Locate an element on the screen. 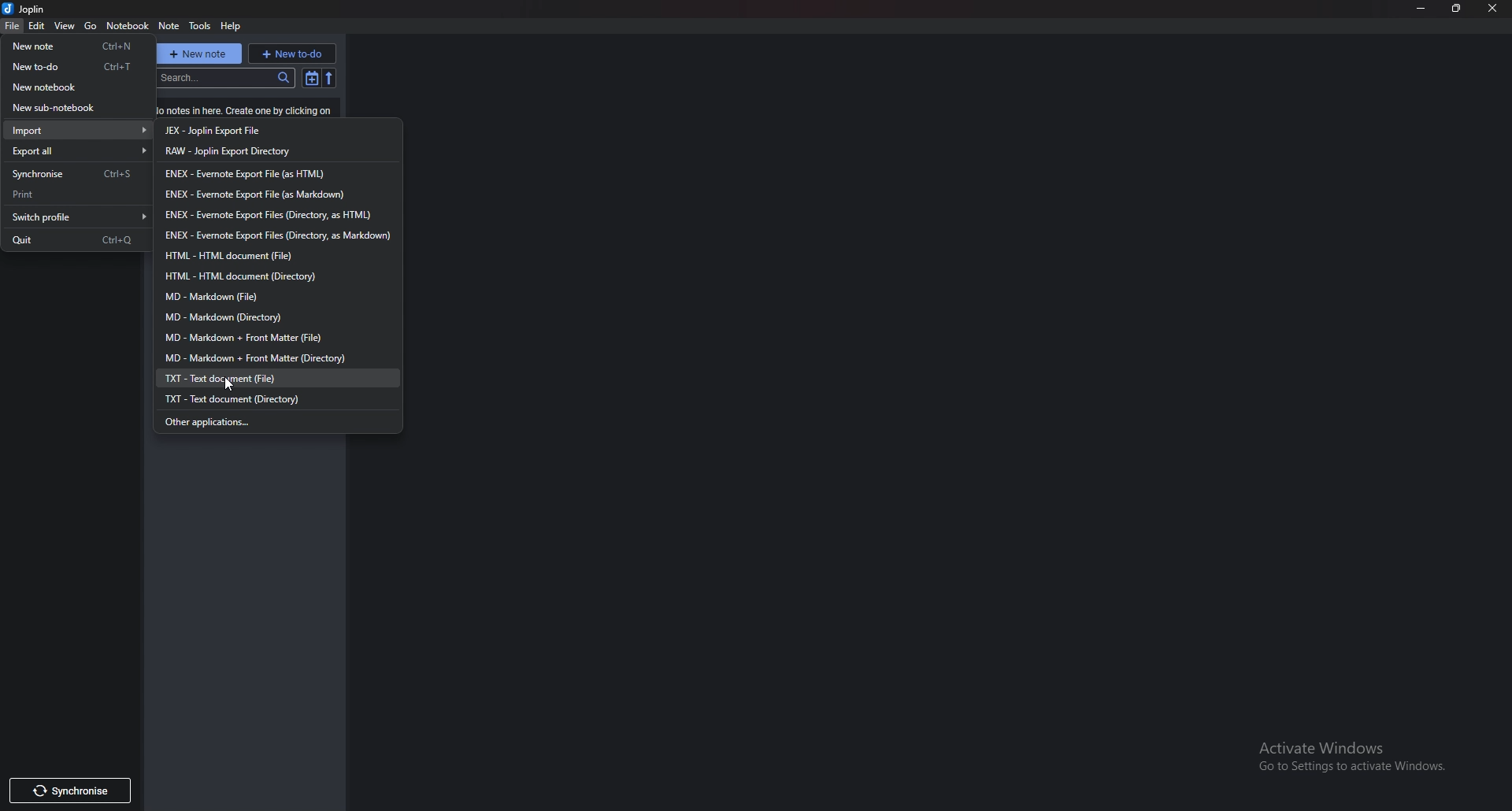 This screenshot has height=811, width=1512. Other applications is located at coordinates (228, 420).